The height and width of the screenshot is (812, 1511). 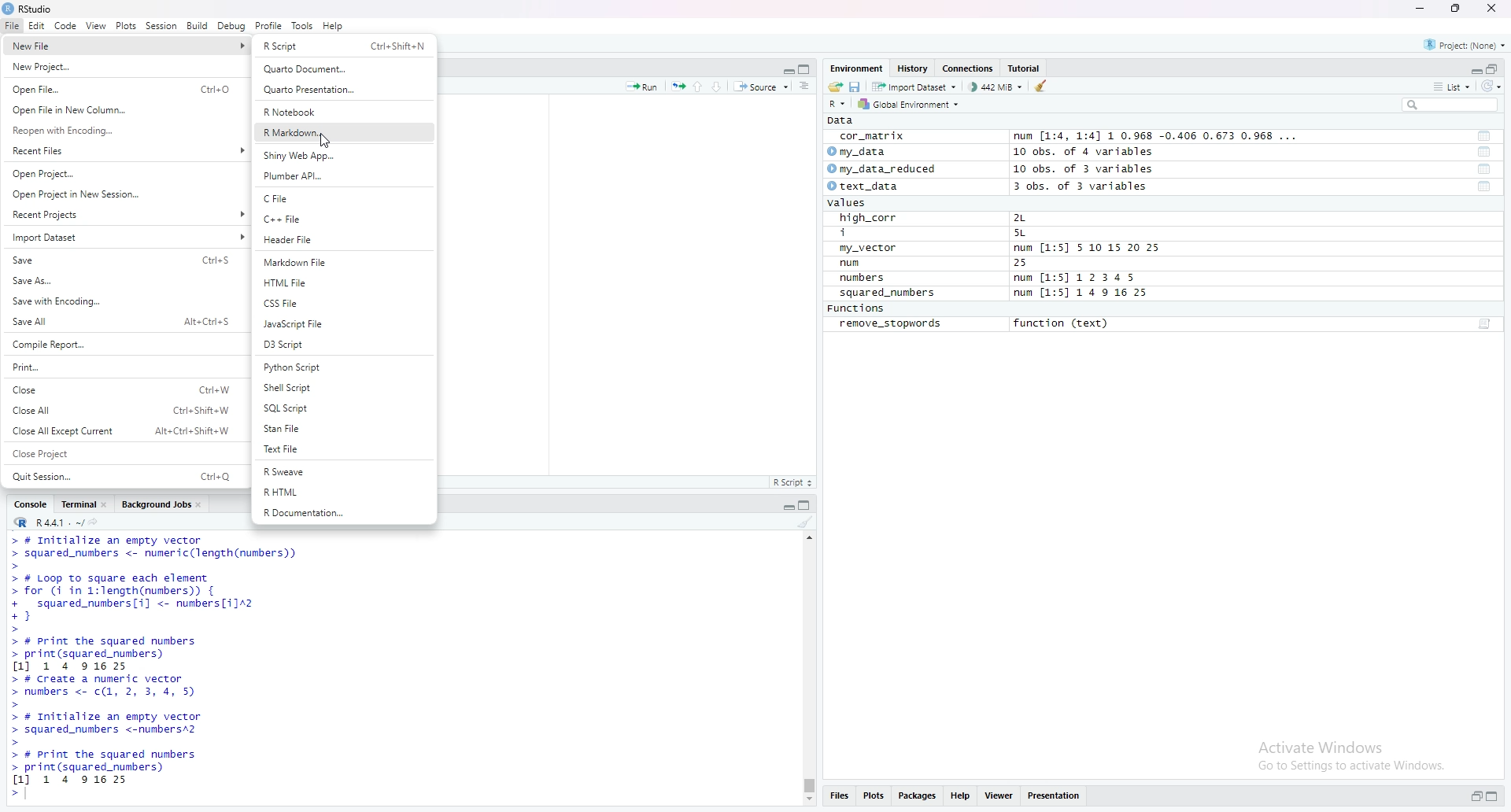 What do you see at coordinates (854, 68) in the screenshot?
I see `Environment` at bounding box center [854, 68].